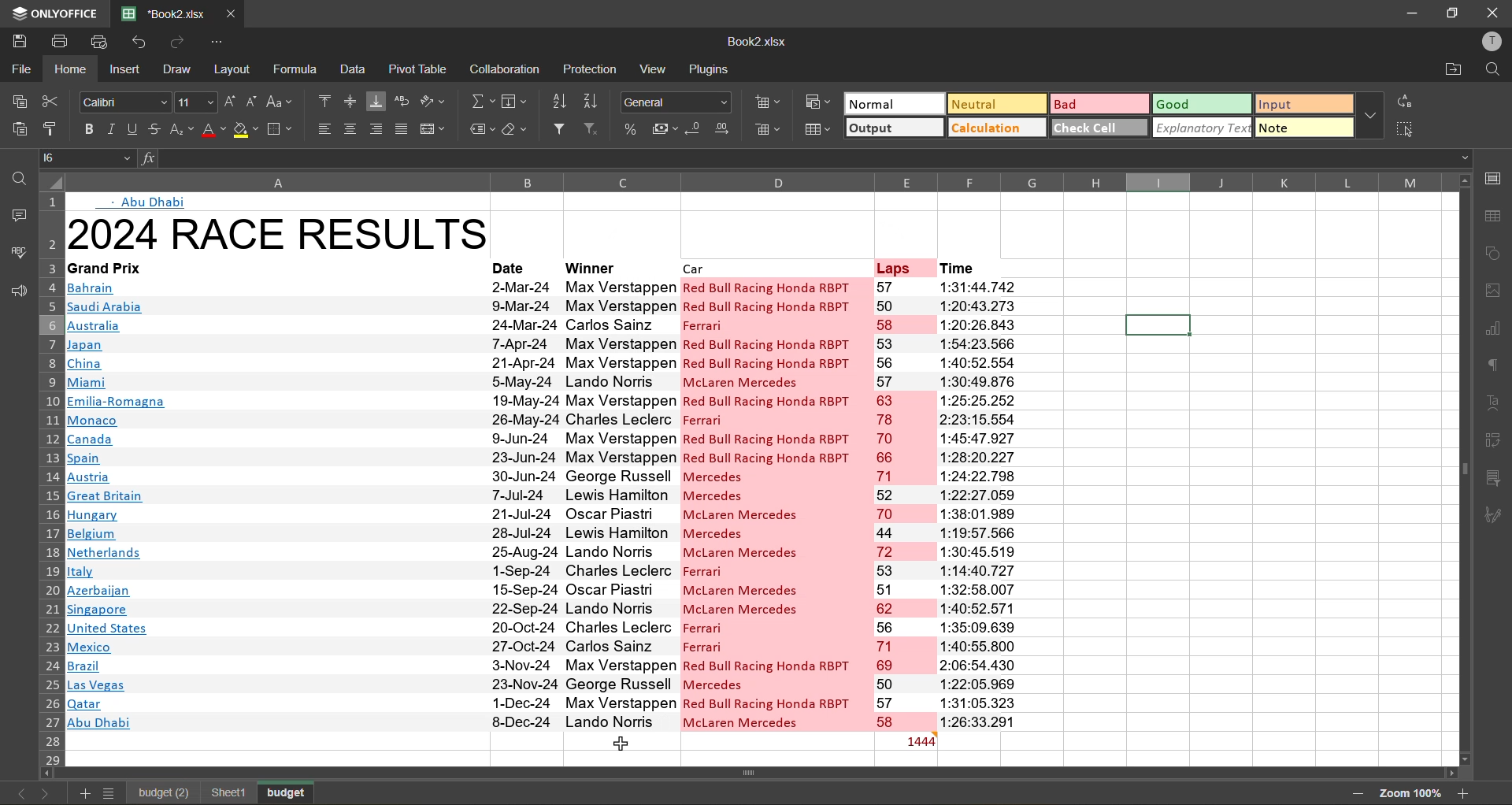 Image resolution: width=1512 pixels, height=805 pixels. I want to click on pivot table, so click(1496, 438).